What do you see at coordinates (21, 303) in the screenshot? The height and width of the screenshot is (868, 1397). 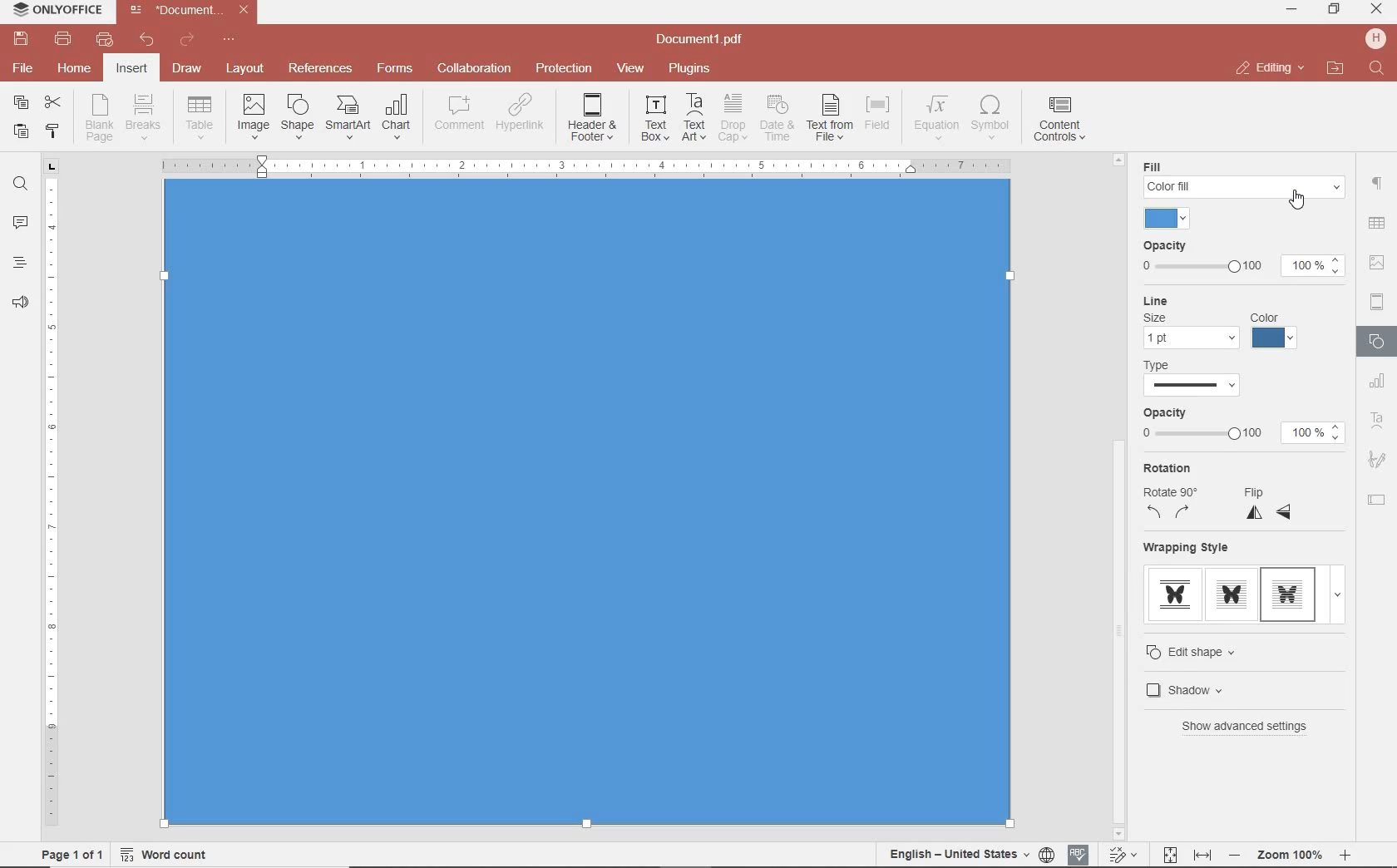 I see `feedback & support` at bounding box center [21, 303].